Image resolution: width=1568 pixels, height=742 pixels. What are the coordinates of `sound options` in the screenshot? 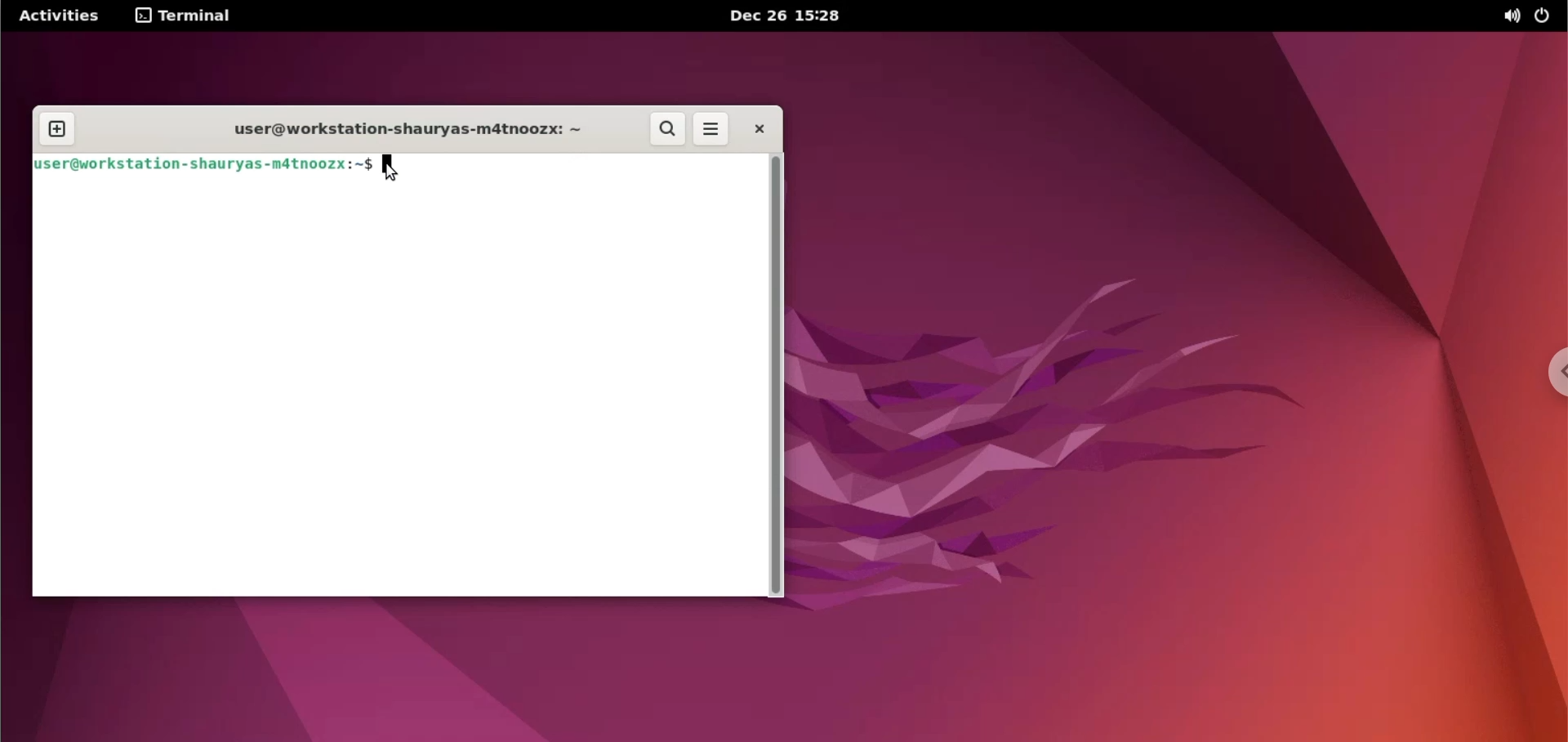 It's located at (1512, 17).